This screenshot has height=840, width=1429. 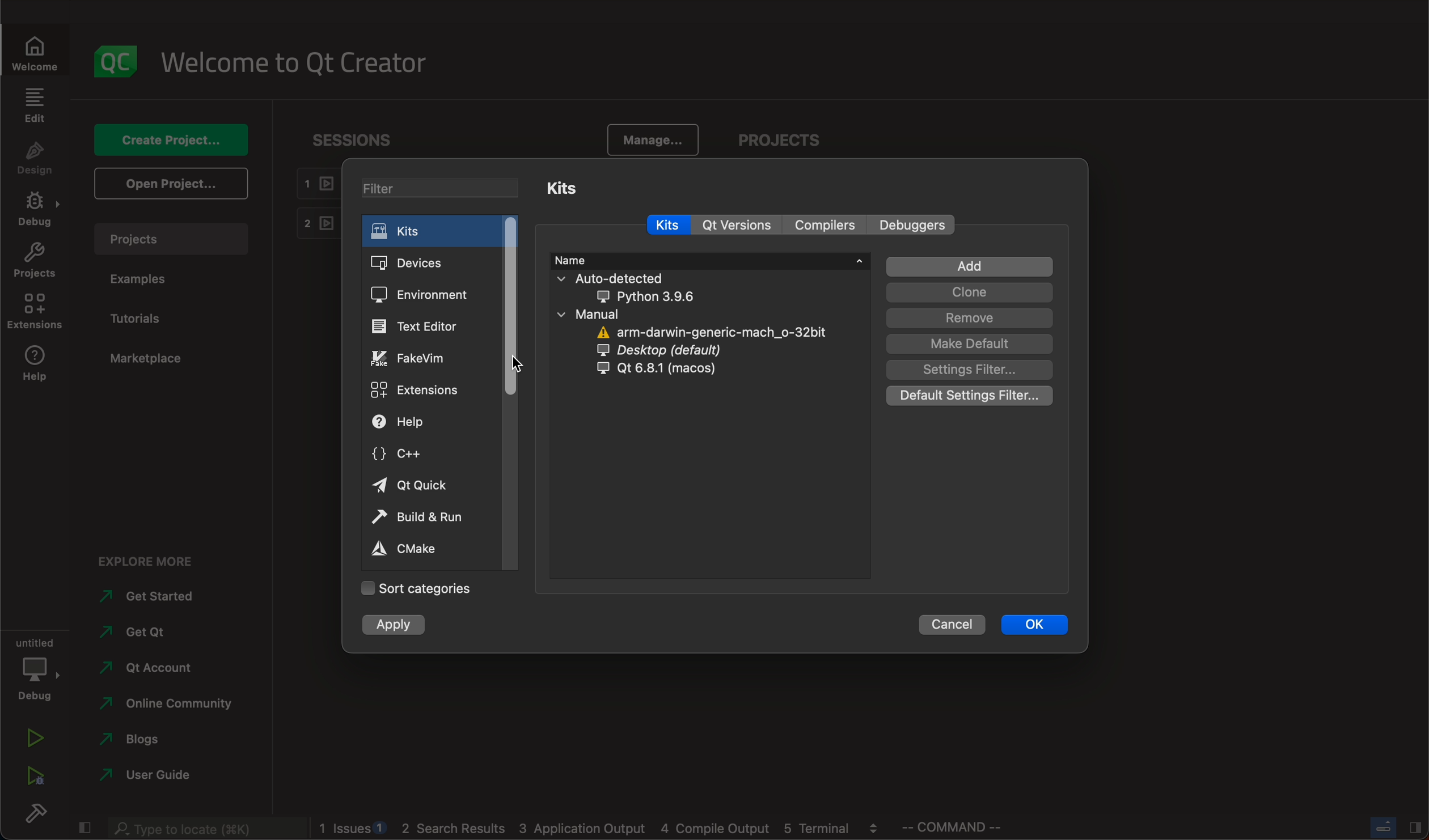 What do you see at coordinates (823, 225) in the screenshot?
I see `compilers` at bounding box center [823, 225].